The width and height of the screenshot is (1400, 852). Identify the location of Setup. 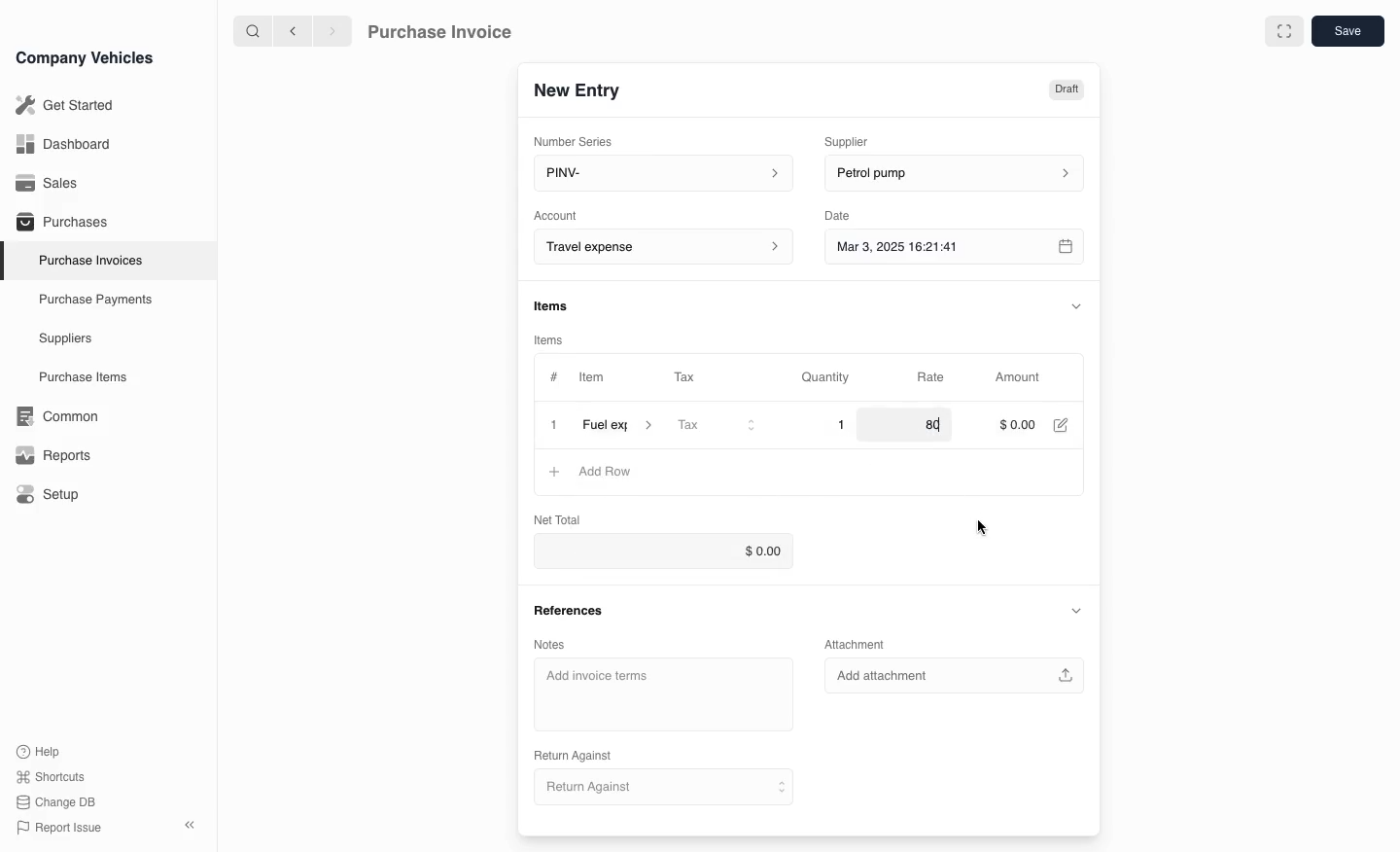
(52, 495).